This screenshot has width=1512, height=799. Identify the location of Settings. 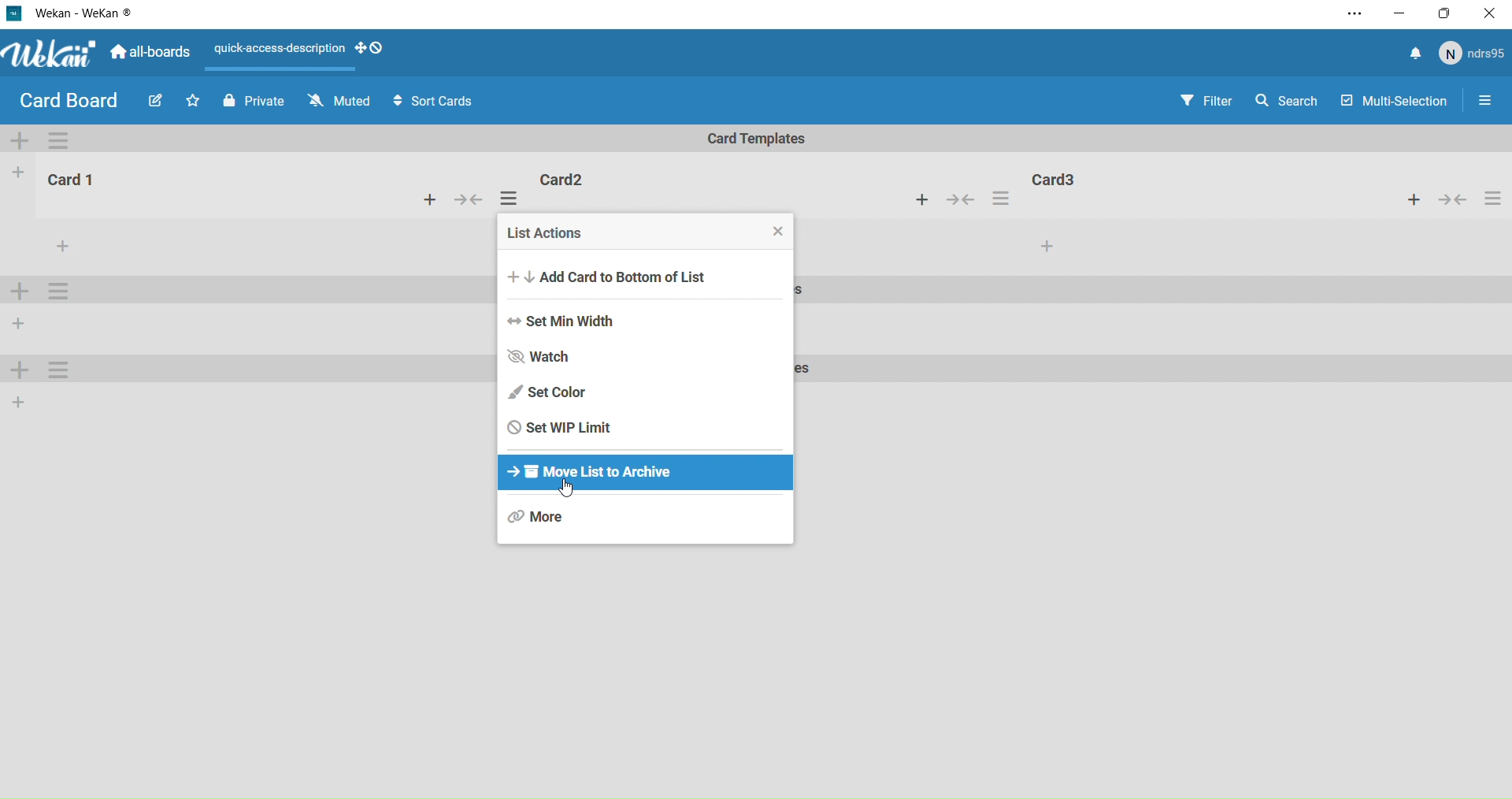
(58, 139).